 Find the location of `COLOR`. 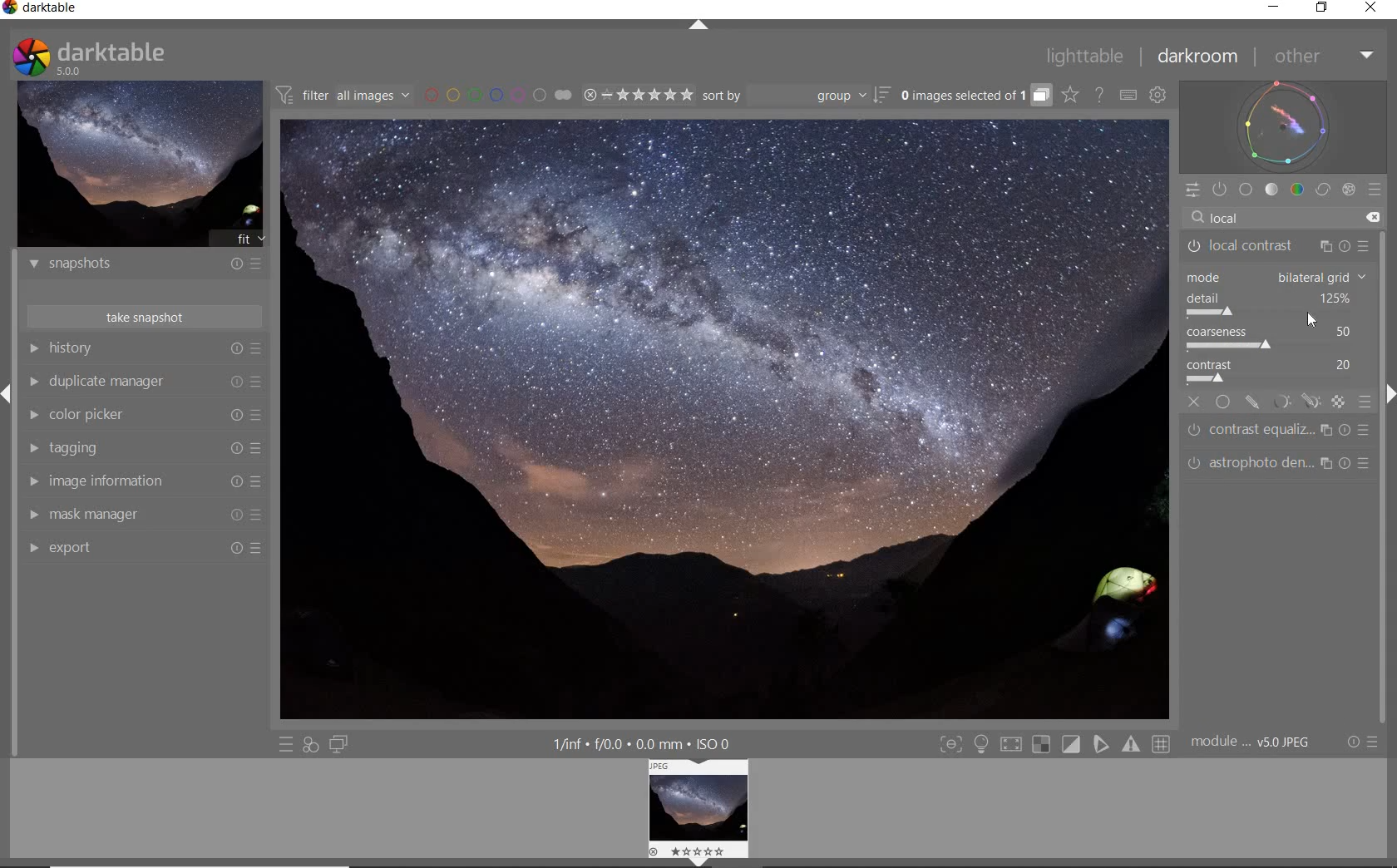

COLOR is located at coordinates (1298, 190).